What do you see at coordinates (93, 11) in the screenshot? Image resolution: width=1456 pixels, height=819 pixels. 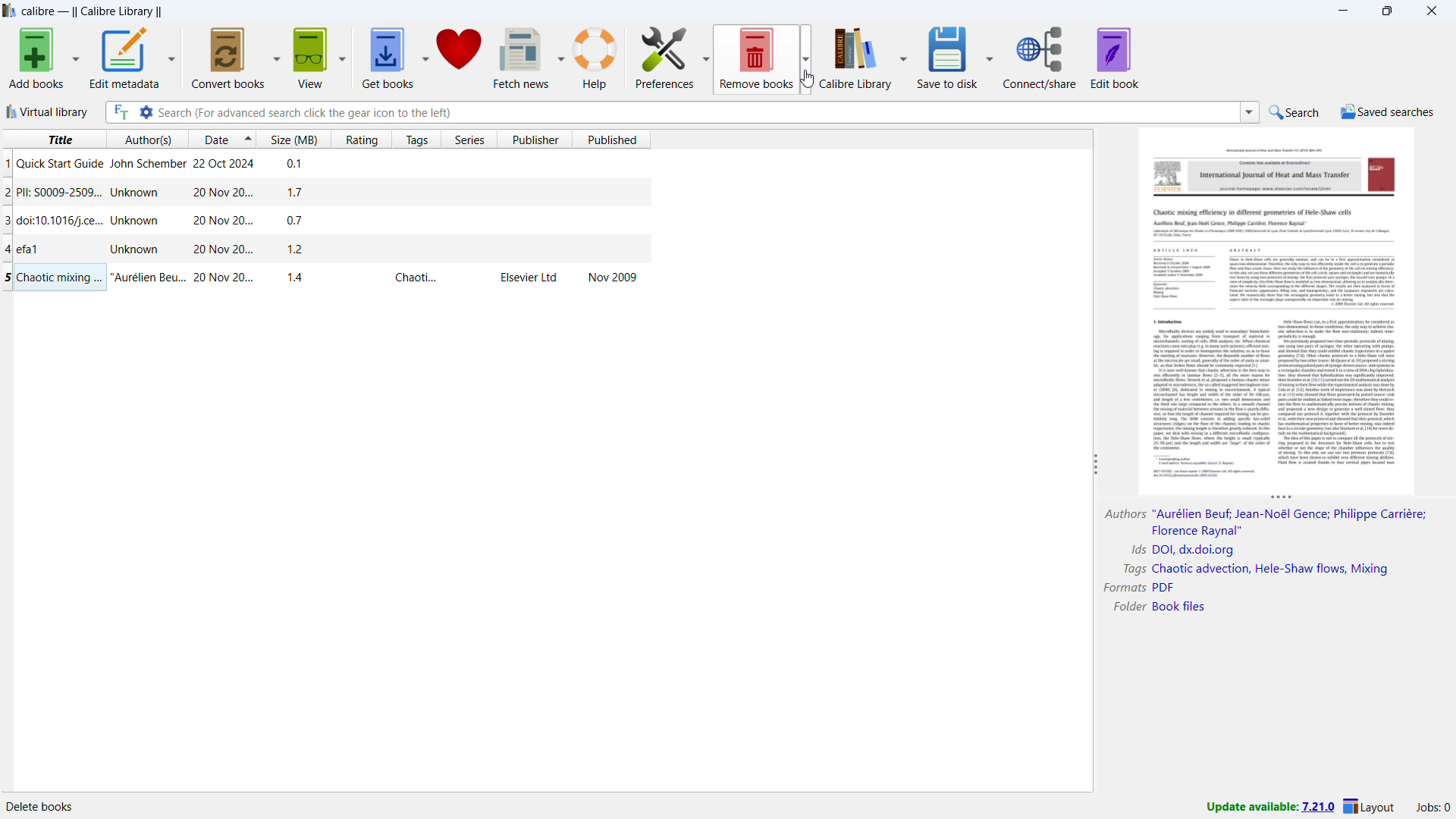 I see `title` at bounding box center [93, 11].